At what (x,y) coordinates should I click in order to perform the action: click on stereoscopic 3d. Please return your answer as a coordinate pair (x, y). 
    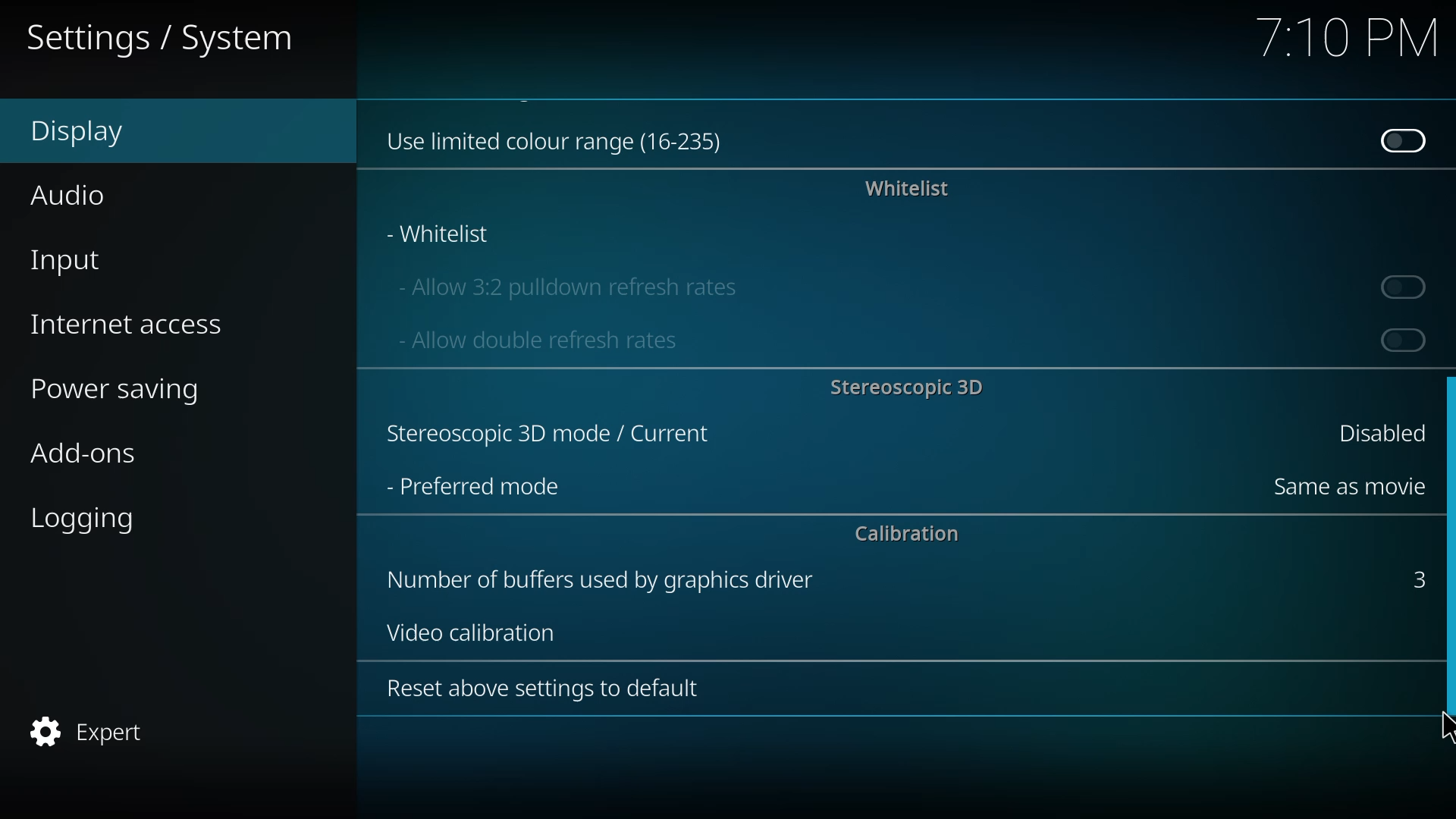
    Looking at the image, I should click on (905, 386).